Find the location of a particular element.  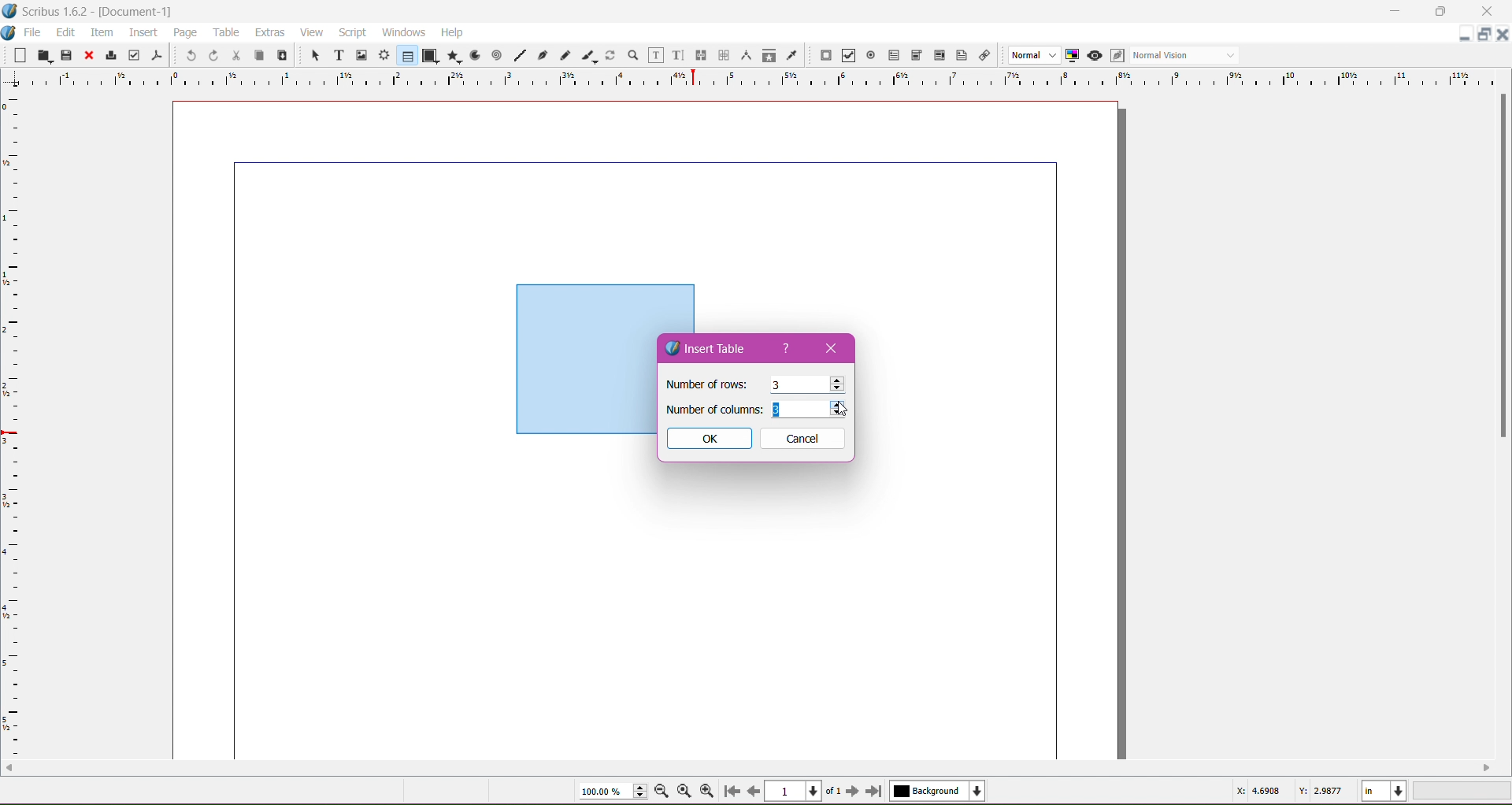

Zoom out is located at coordinates (665, 790).